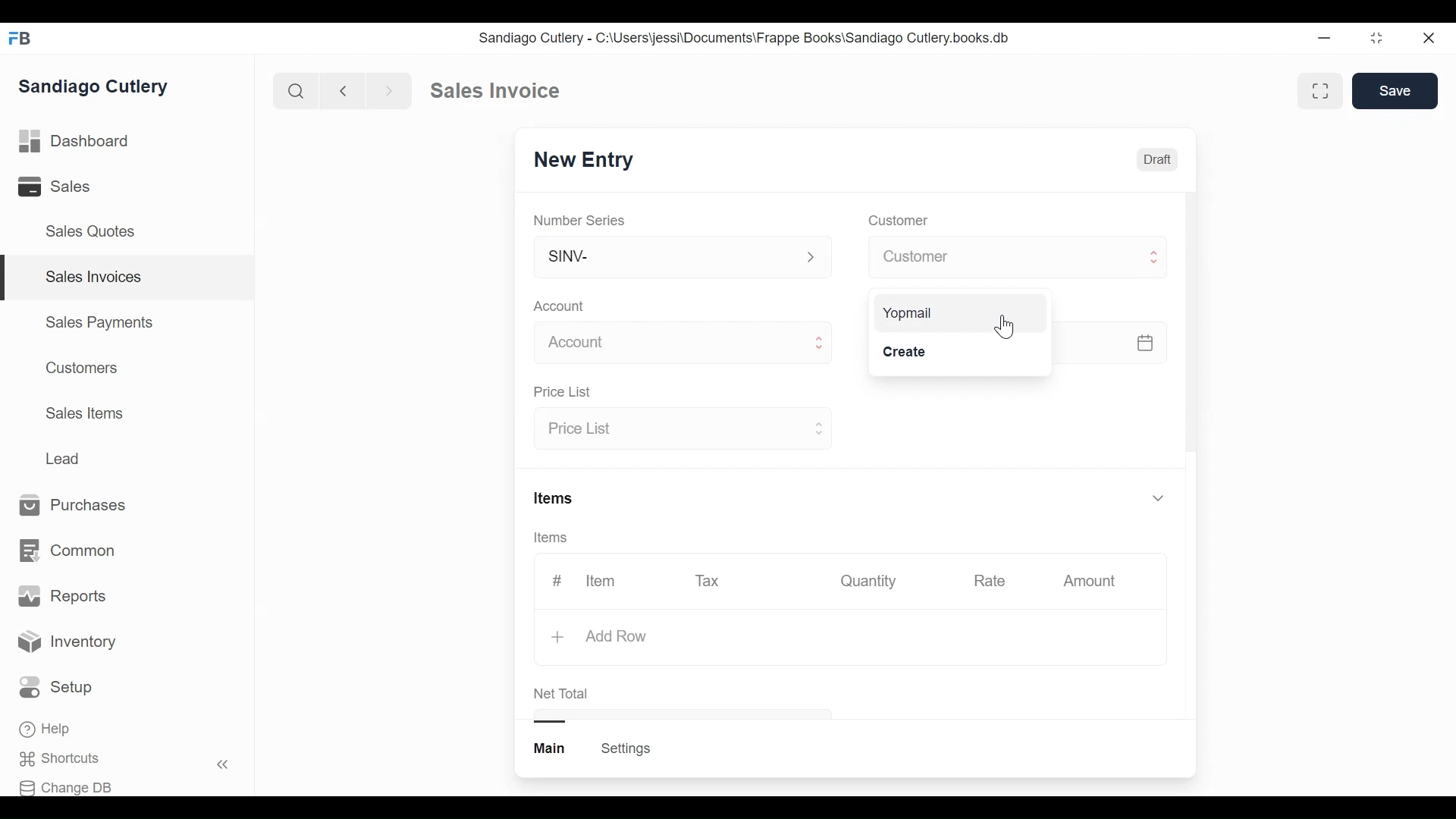  Describe the element at coordinates (708, 580) in the screenshot. I see `Tax` at that location.